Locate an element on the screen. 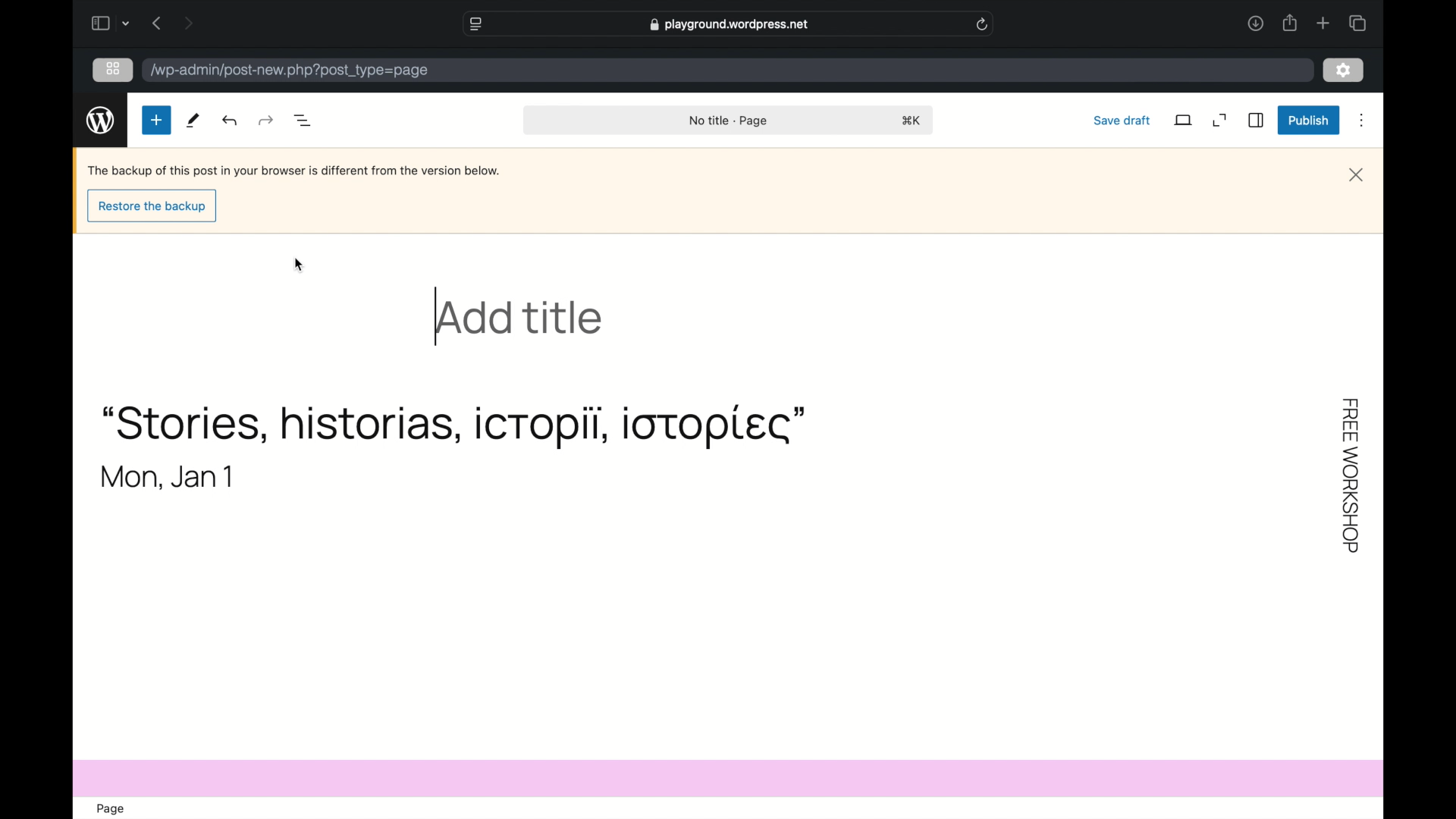 Image resolution: width=1456 pixels, height=819 pixels. settings is located at coordinates (1343, 70).